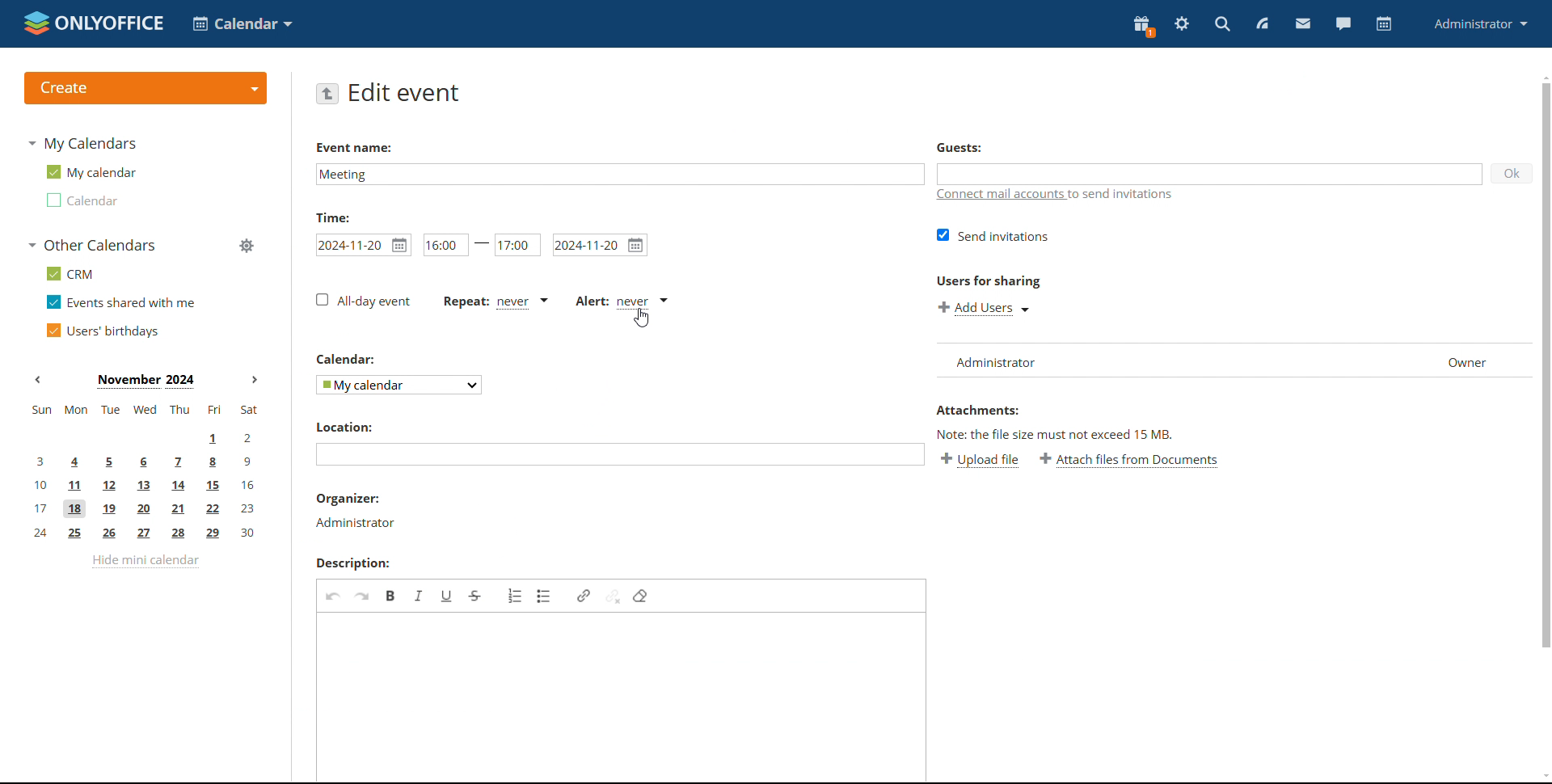 This screenshot has height=784, width=1552. What do you see at coordinates (146, 381) in the screenshot?
I see `Month on display` at bounding box center [146, 381].